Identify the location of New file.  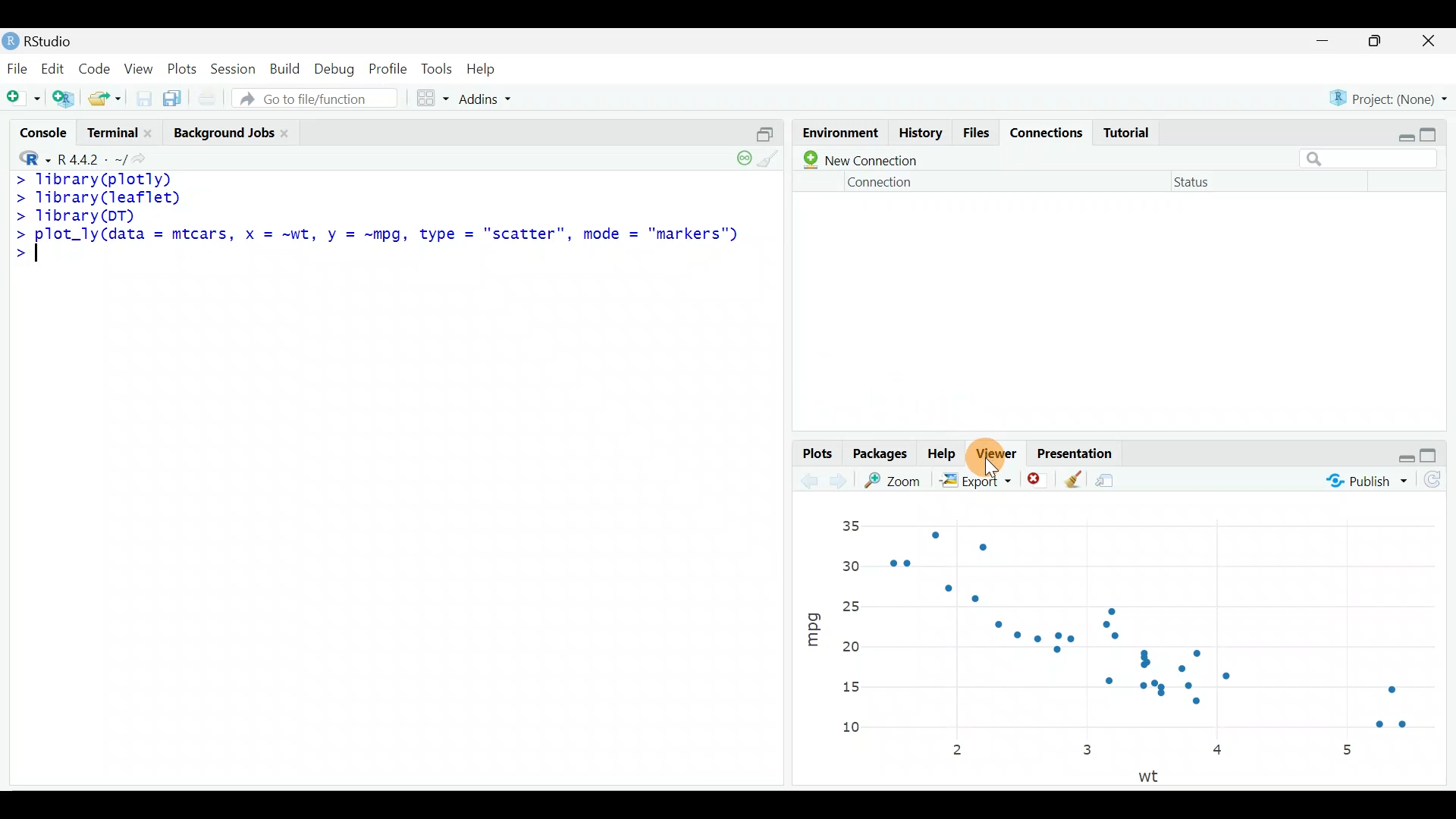
(24, 97).